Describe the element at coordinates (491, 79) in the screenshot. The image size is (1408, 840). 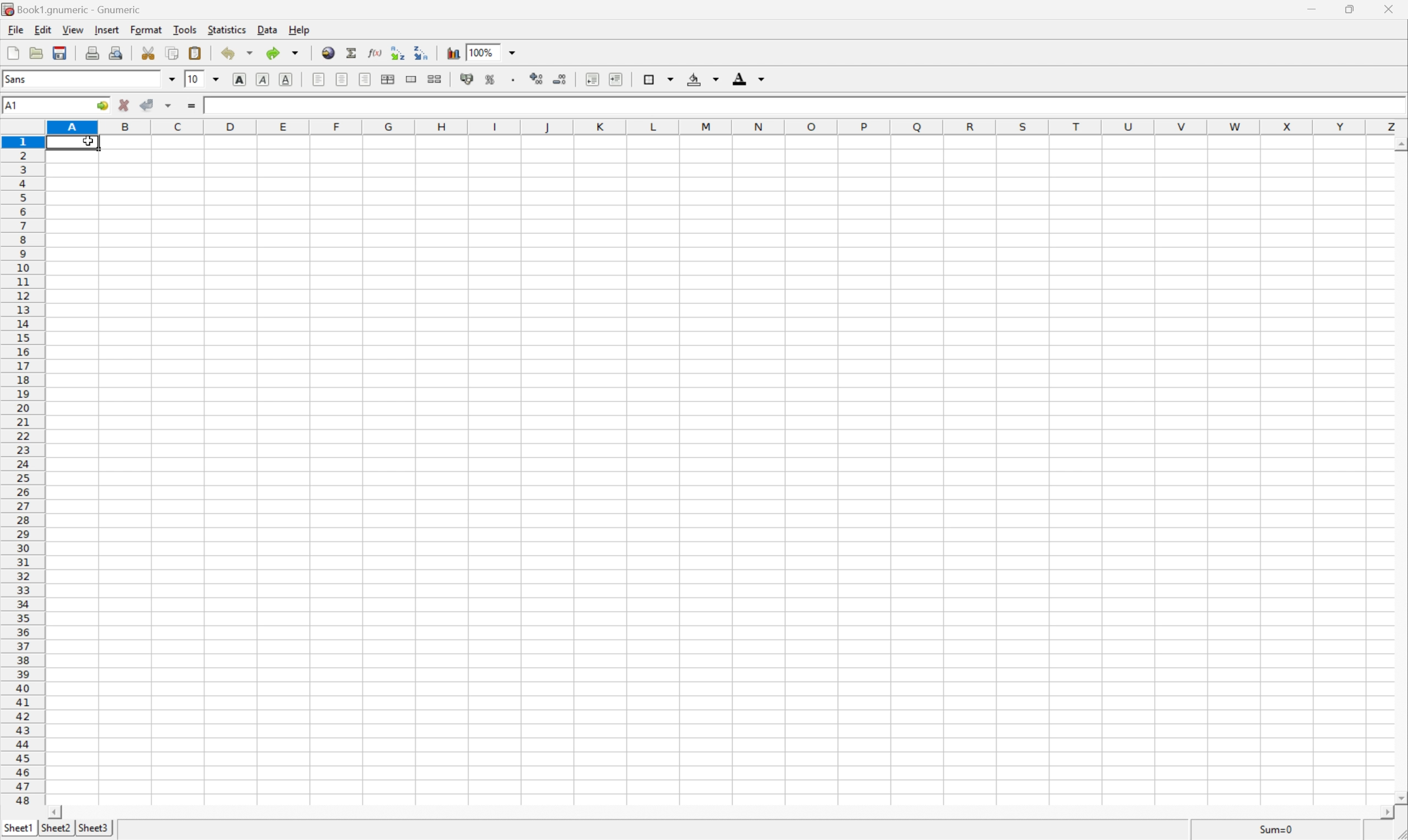
I see `format selection as percentage` at that location.